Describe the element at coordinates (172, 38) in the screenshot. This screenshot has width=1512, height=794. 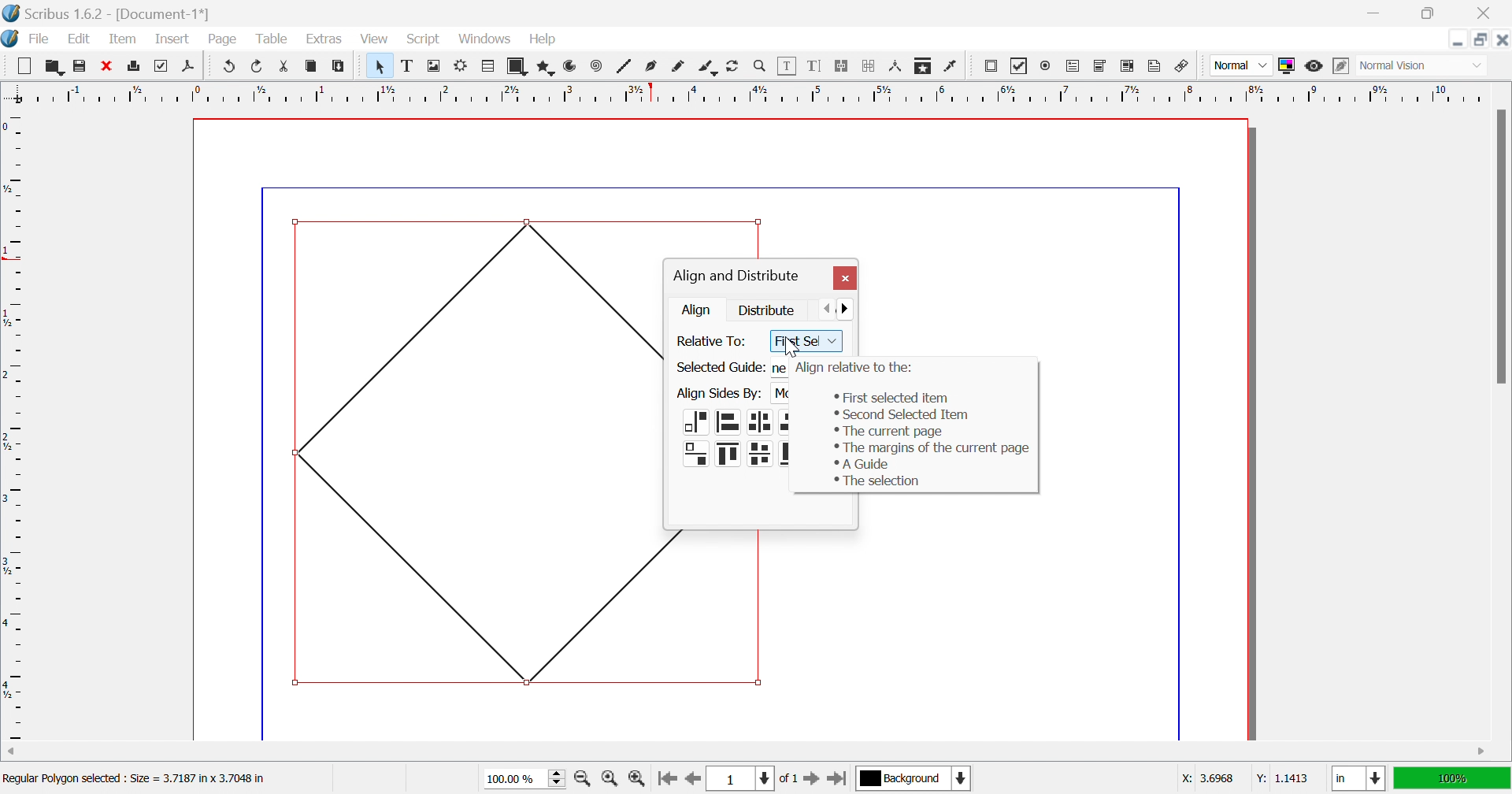
I see `Insert` at that location.